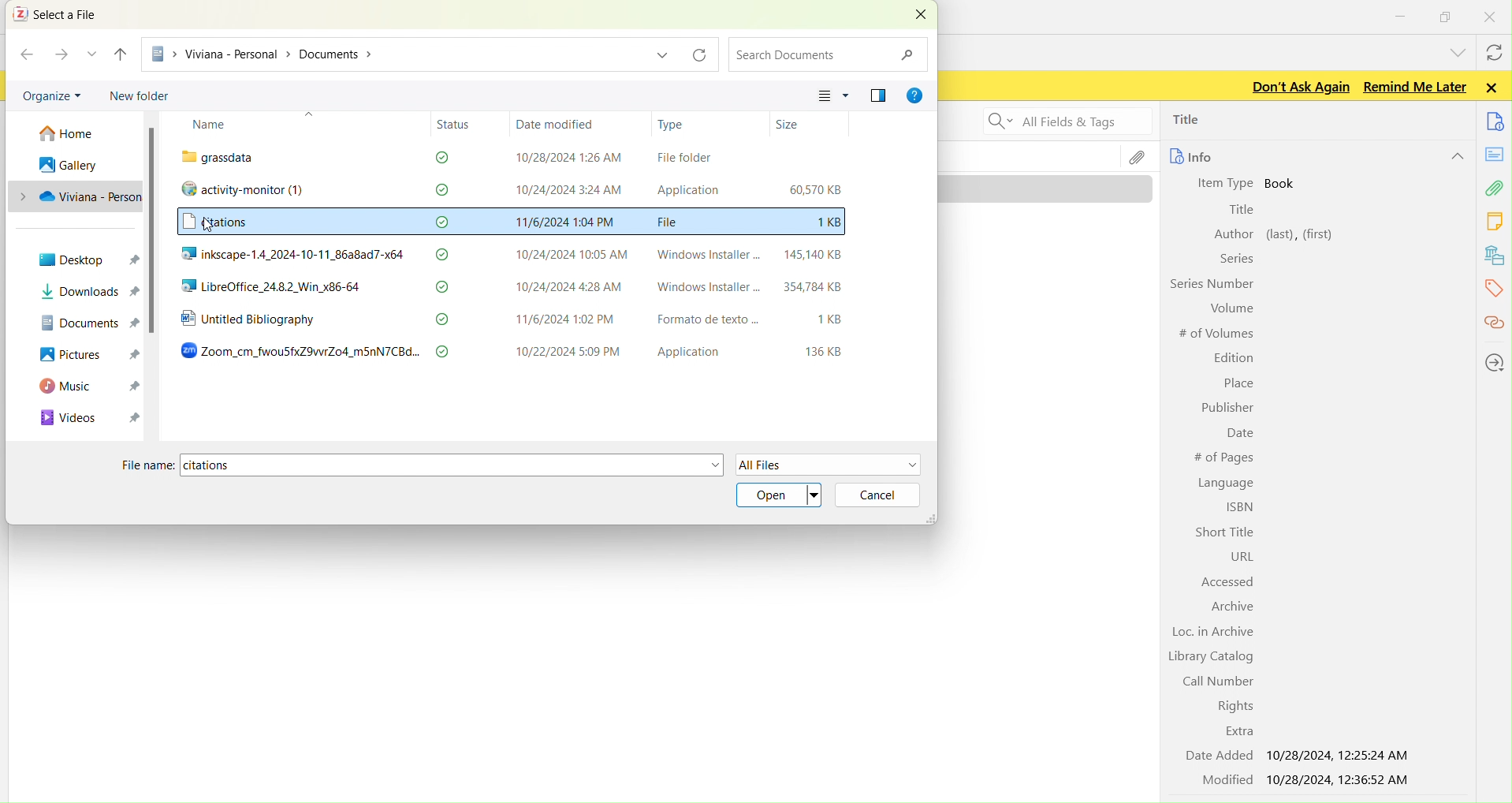 The height and width of the screenshot is (803, 1512). Describe the element at coordinates (449, 125) in the screenshot. I see `Status` at that location.